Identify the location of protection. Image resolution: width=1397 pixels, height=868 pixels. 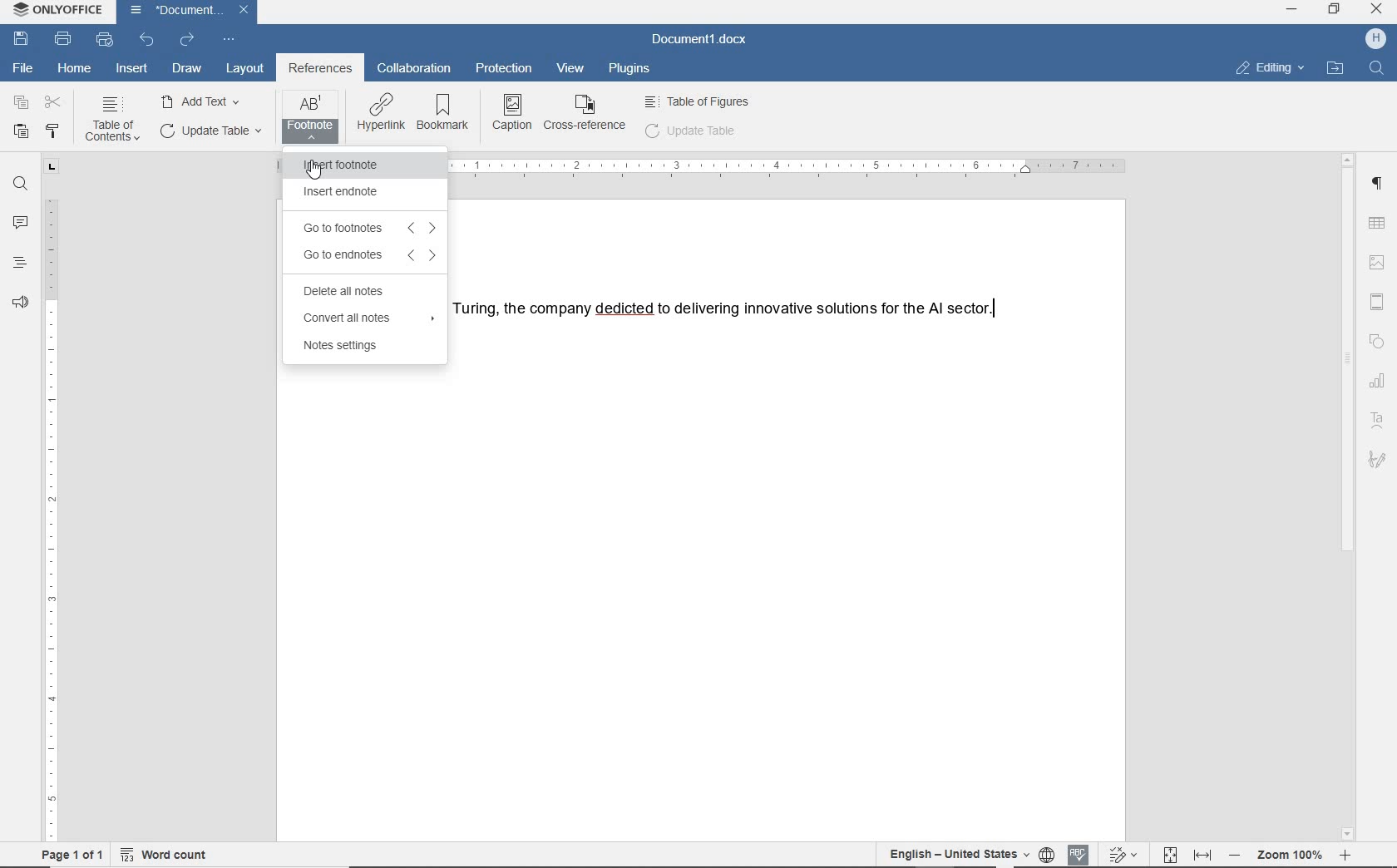
(506, 70).